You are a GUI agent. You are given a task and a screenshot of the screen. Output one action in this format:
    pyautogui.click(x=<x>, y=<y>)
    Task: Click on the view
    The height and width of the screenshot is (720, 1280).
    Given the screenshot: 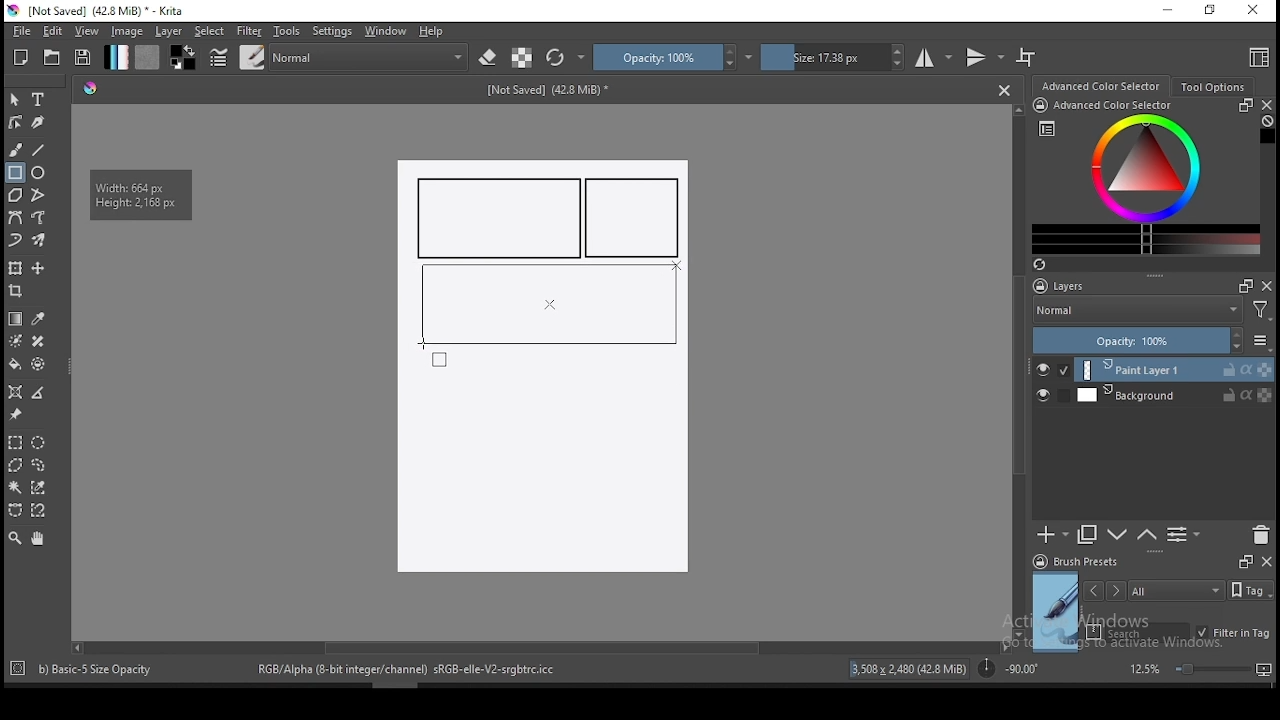 What is the action you would take?
    pyautogui.click(x=86, y=31)
    